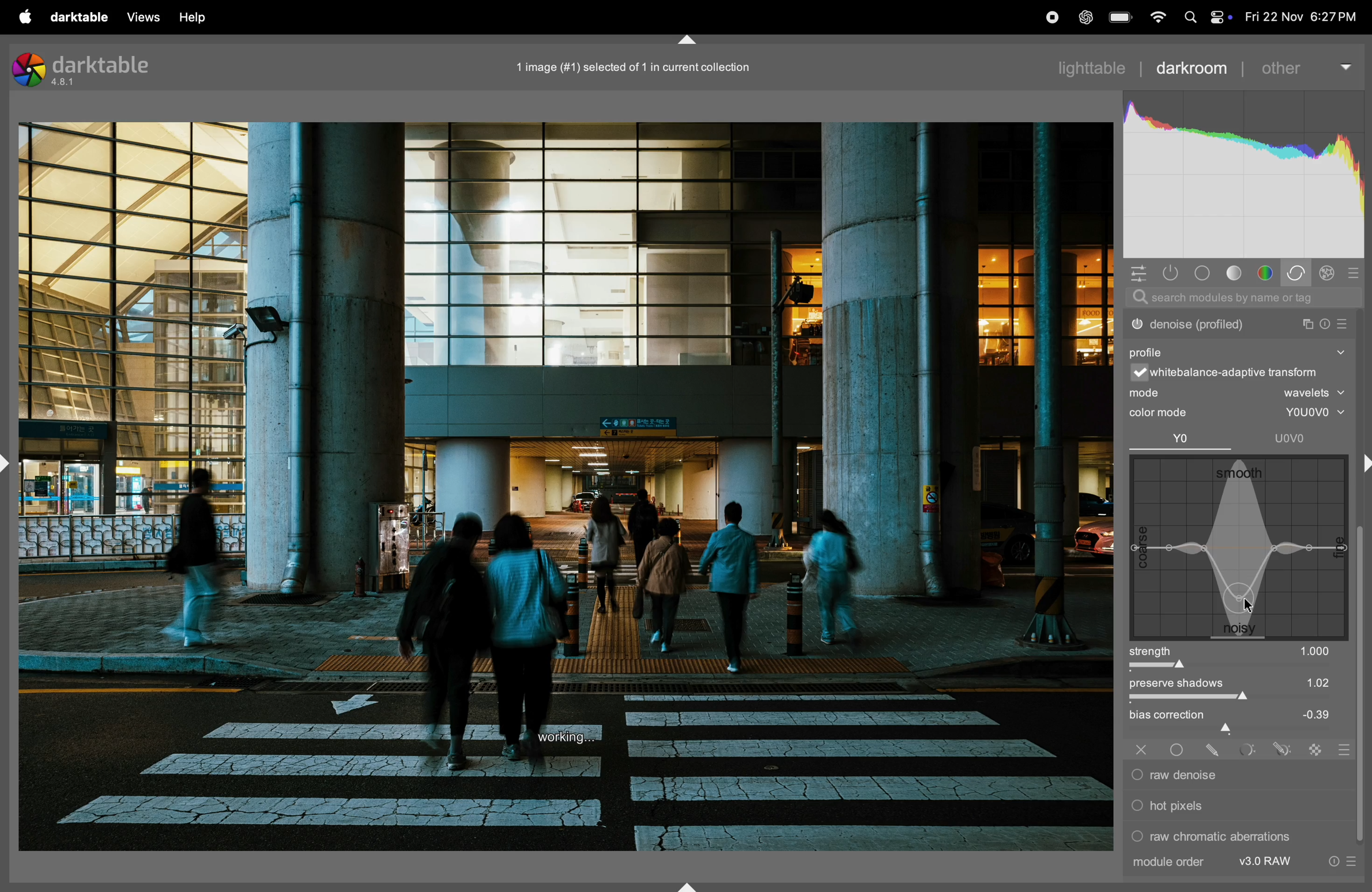  Describe the element at coordinates (636, 67) in the screenshot. I see `1 imge selected` at that location.